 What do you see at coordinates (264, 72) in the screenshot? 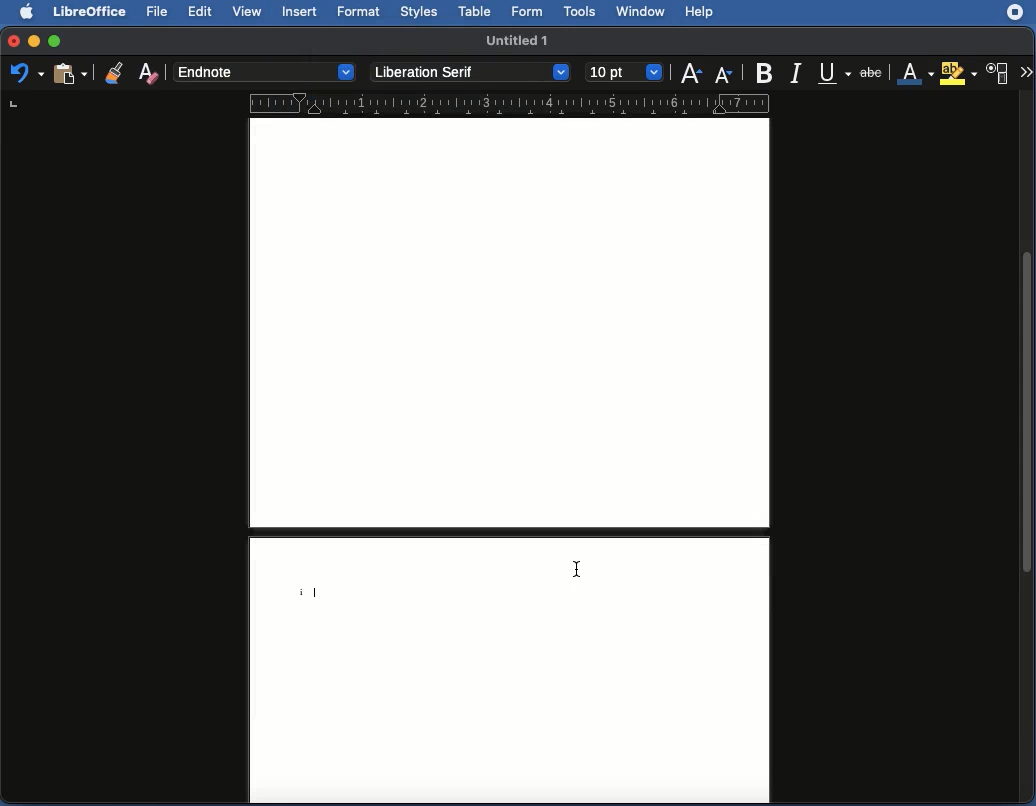
I see `Paragraph style` at bounding box center [264, 72].